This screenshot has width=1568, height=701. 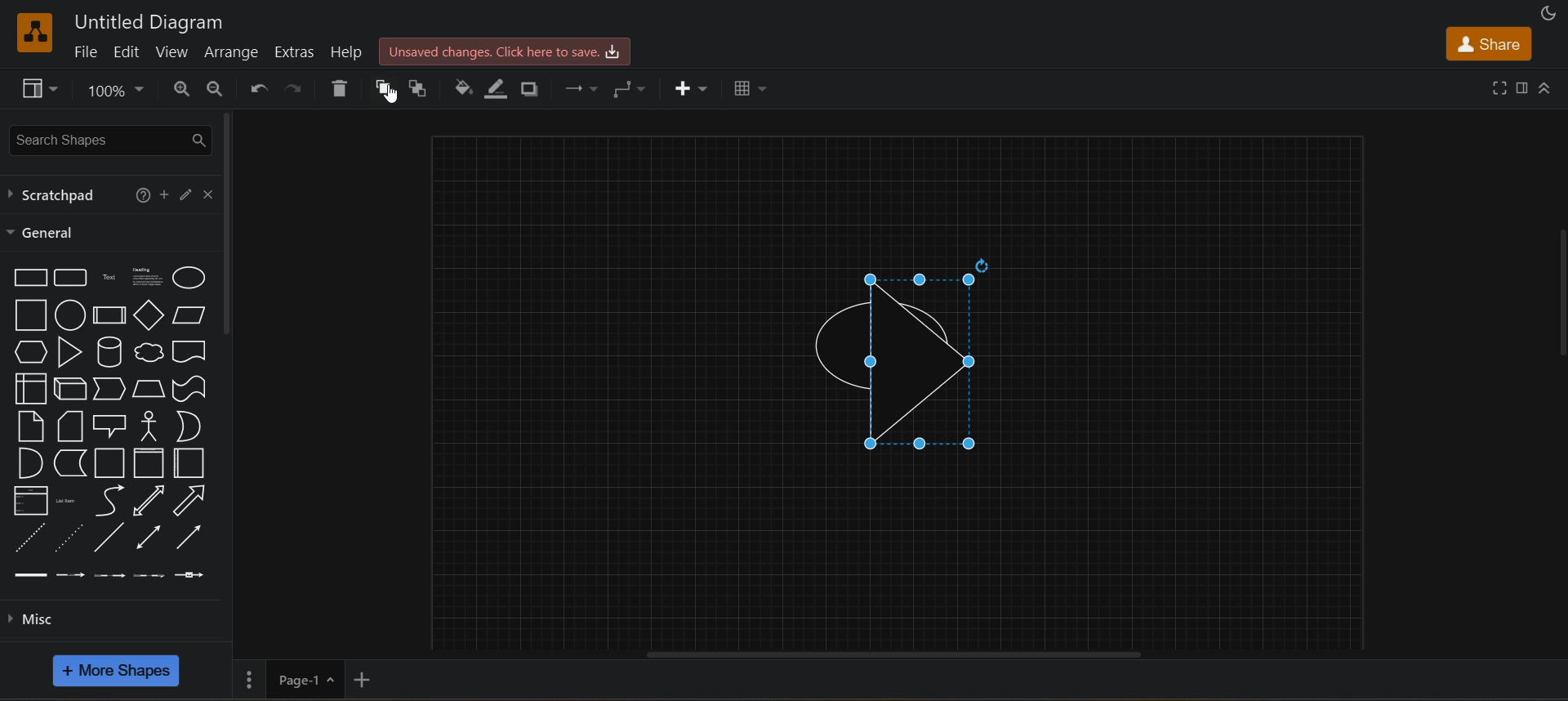 What do you see at coordinates (167, 194) in the screenshot?
I see `add` at bounding box center [167, 194].